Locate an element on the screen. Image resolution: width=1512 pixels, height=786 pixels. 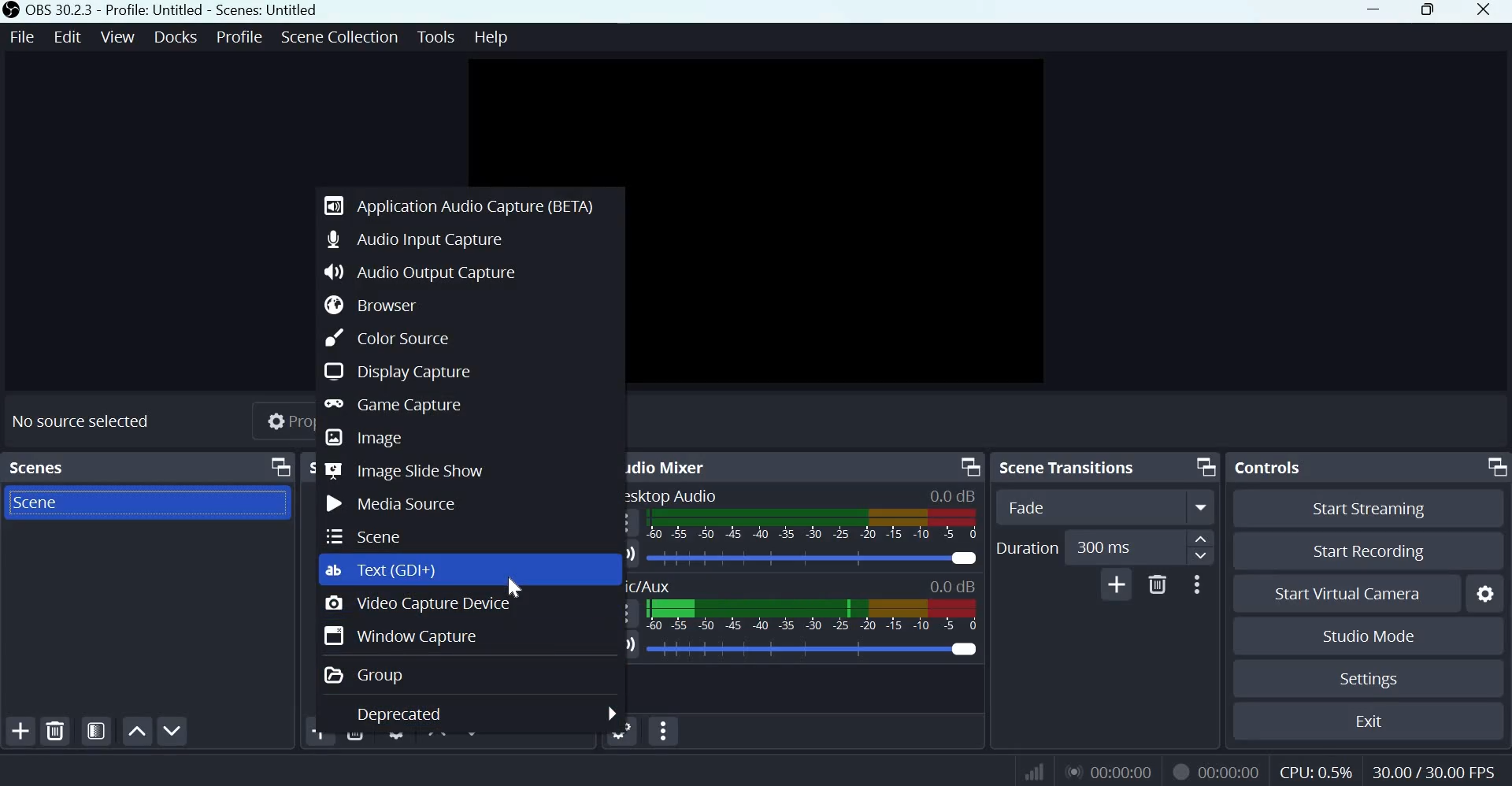
 Dock Options icon is located at coordinates (1493, 466).